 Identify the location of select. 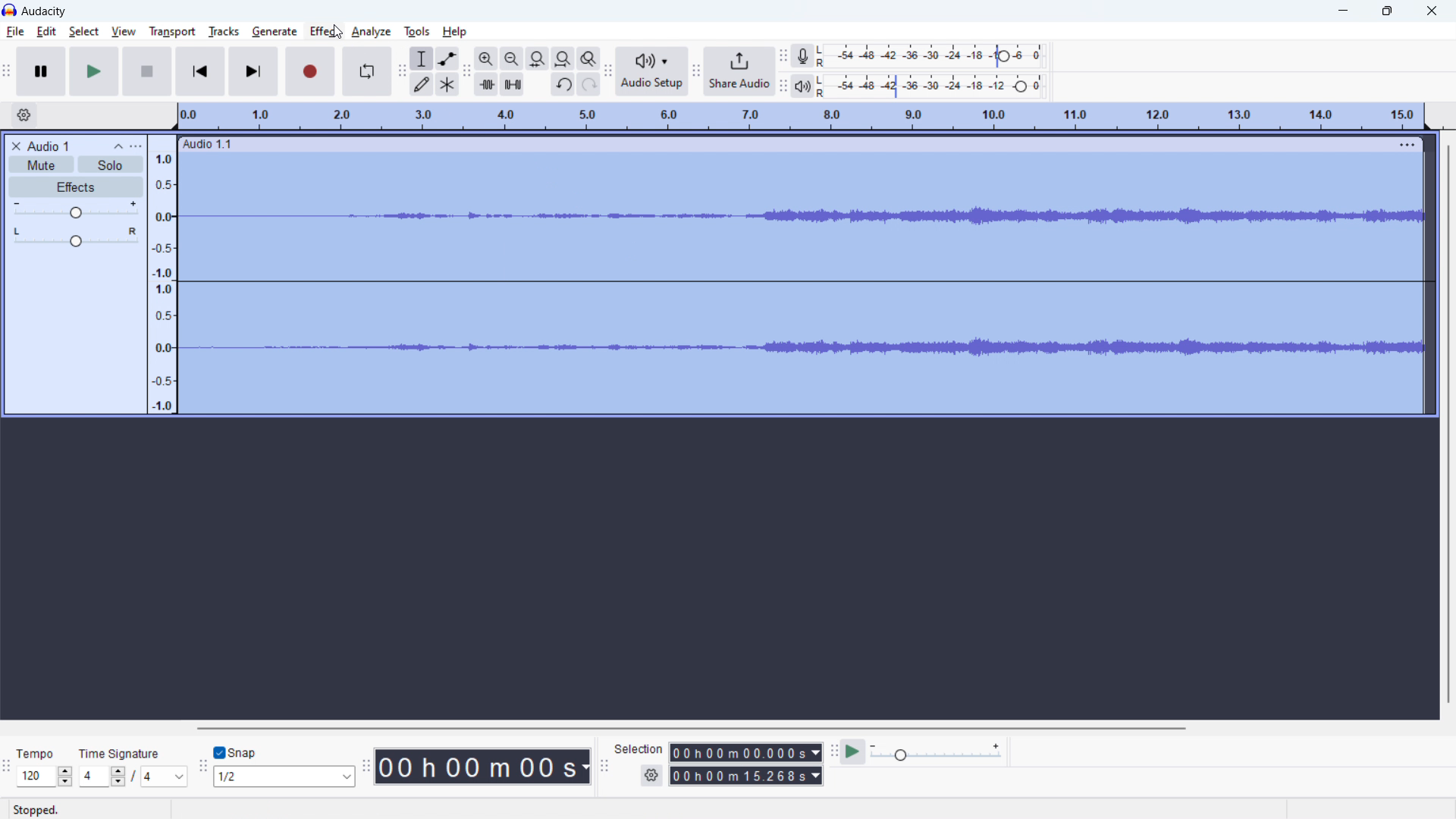
(83, 32).